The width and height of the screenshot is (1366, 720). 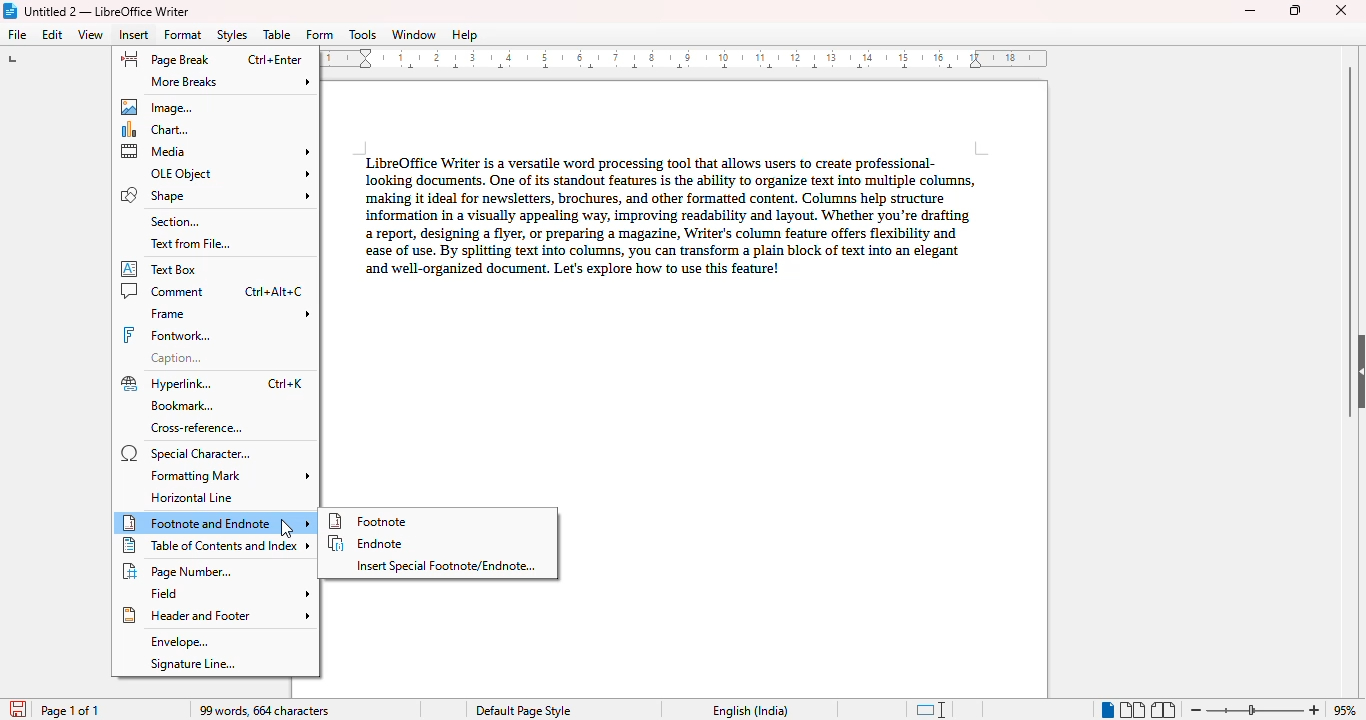 What do you see at coordinates (1347, 709) in the screenshot?
I see `95% (current zoom level)` at bounding box center [1347, 709].